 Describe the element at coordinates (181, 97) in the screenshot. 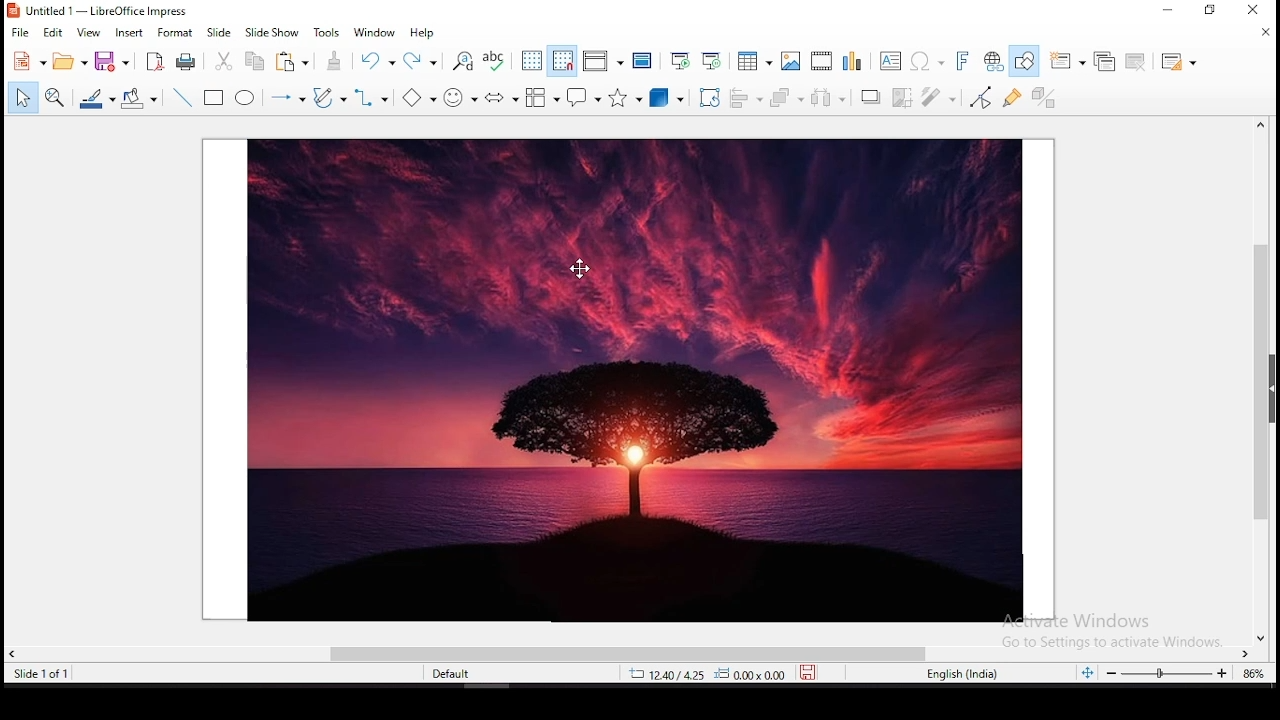

I see `insert line` at that location.